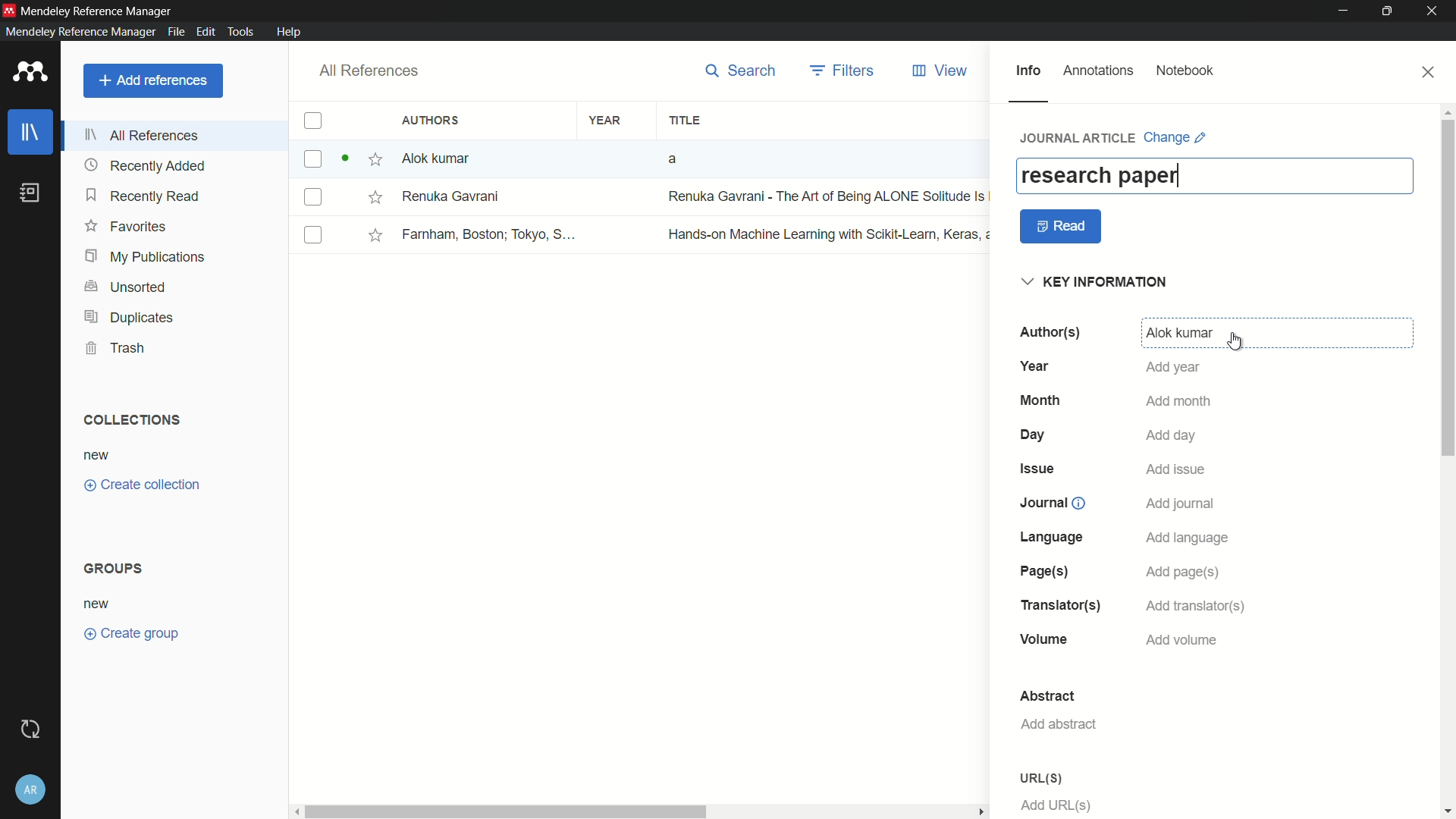  What do you see at coordinates (143, 135) in the screenshot?
I see `all references` at bounding box center [143, 135].